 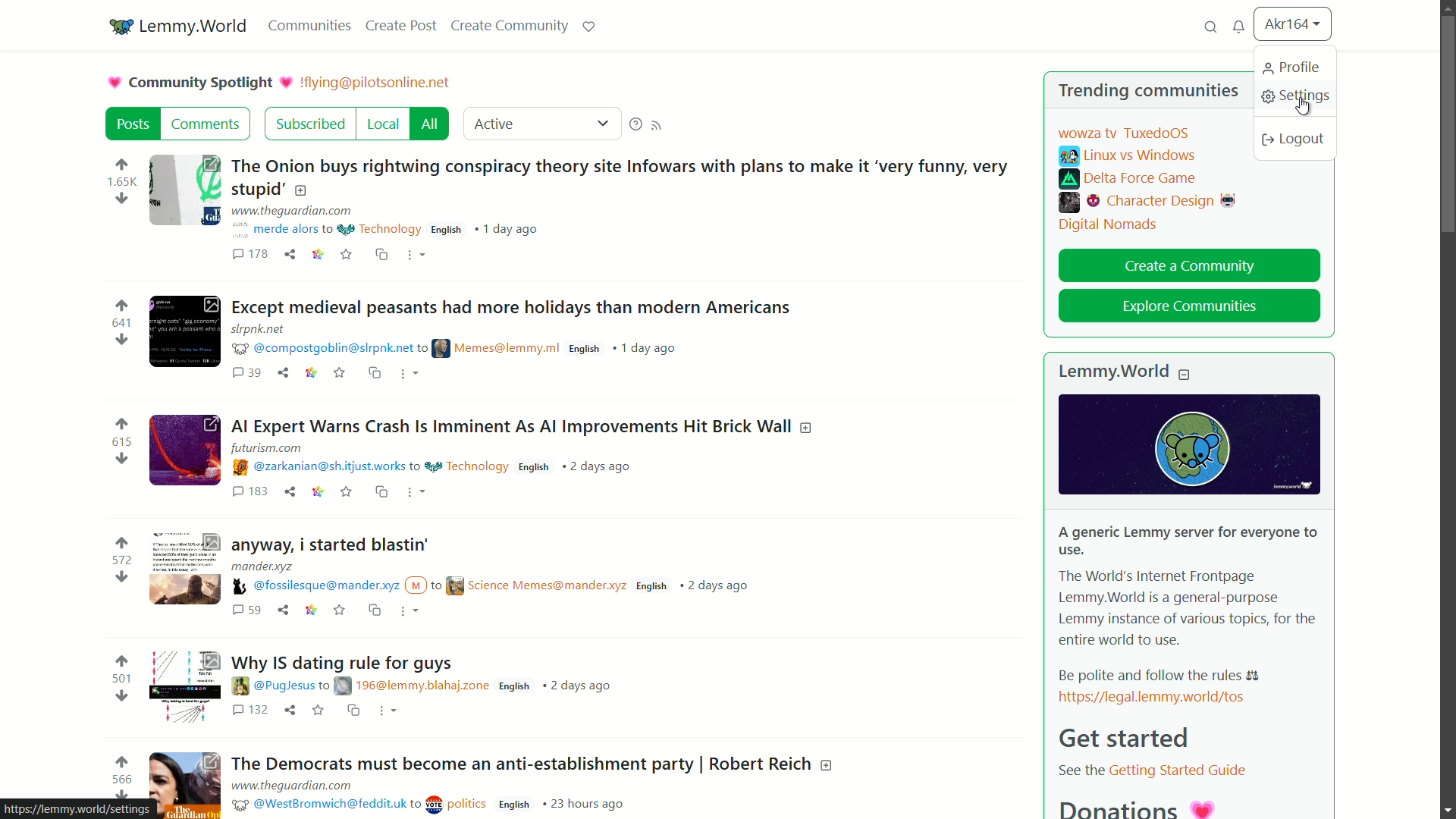 What do you see at coordinates (122, 780) in the screenshot?
I see `number of votes` at bounding box center [122, 780].